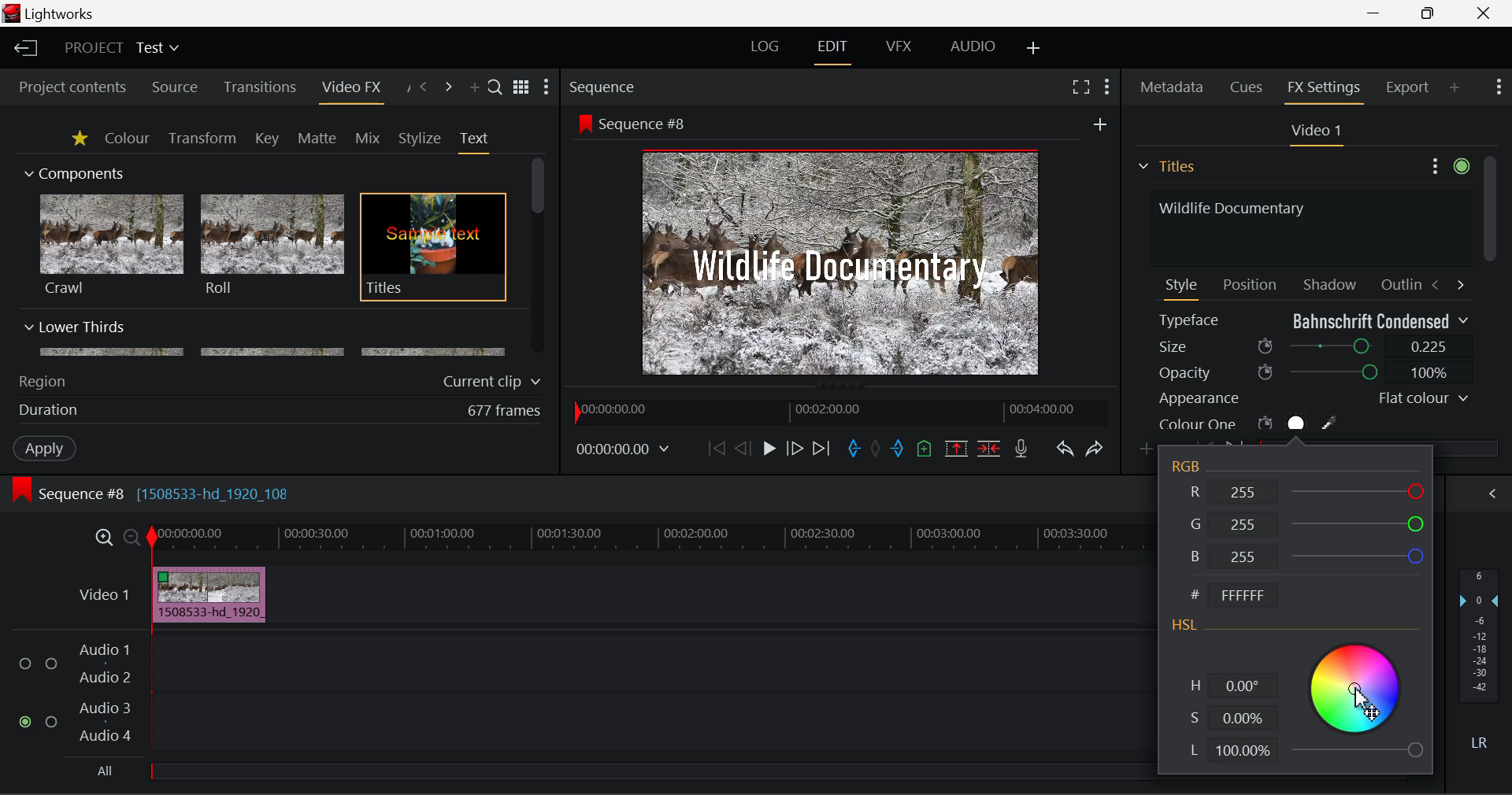  Describe the element at coordinates (1367, 702) in the screenshot. I see `MOUSE_DOWN Cursor Position` at that location.